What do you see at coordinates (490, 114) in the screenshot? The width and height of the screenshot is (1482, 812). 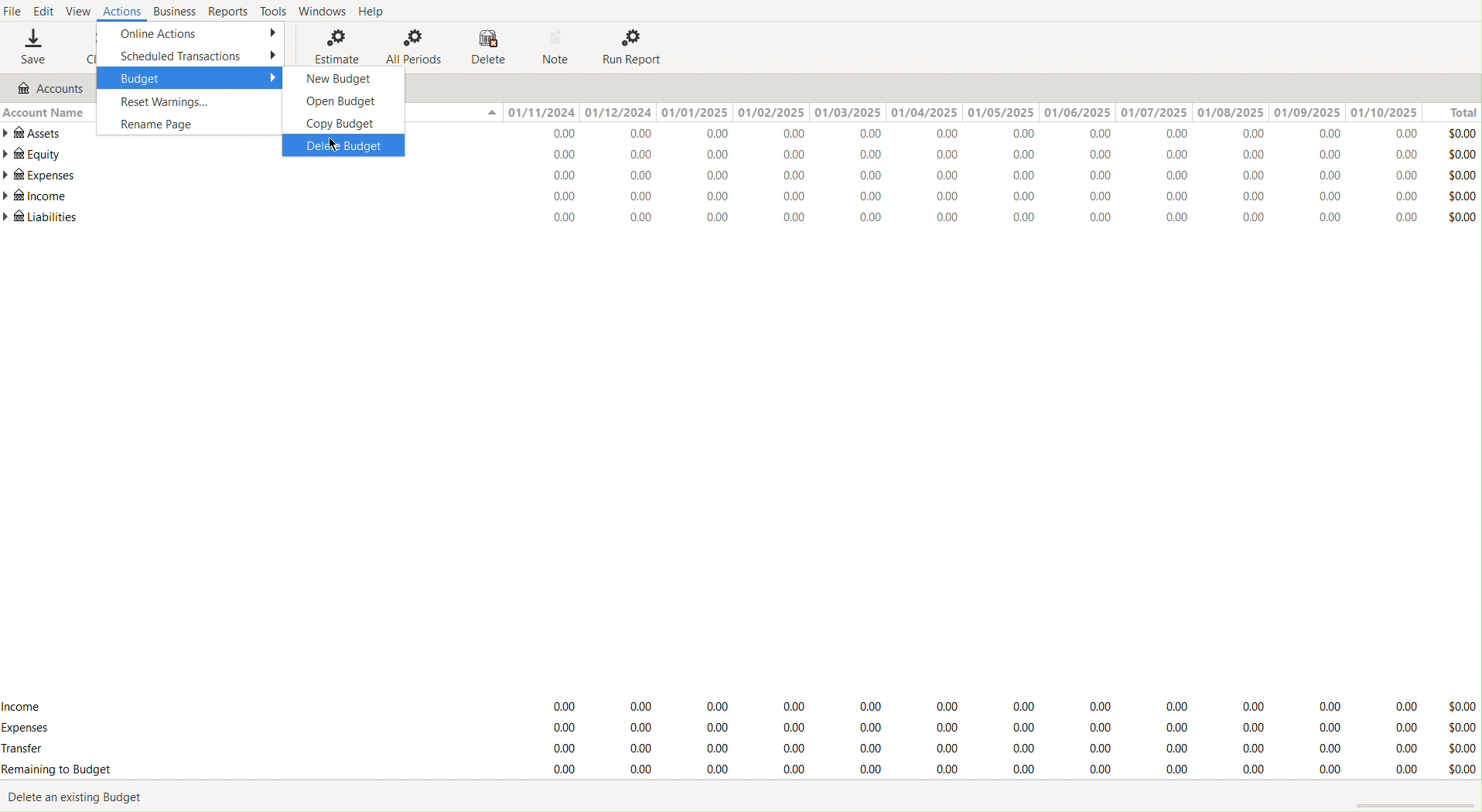 I see `Collapse or expand` at bounding box center [490, 114].